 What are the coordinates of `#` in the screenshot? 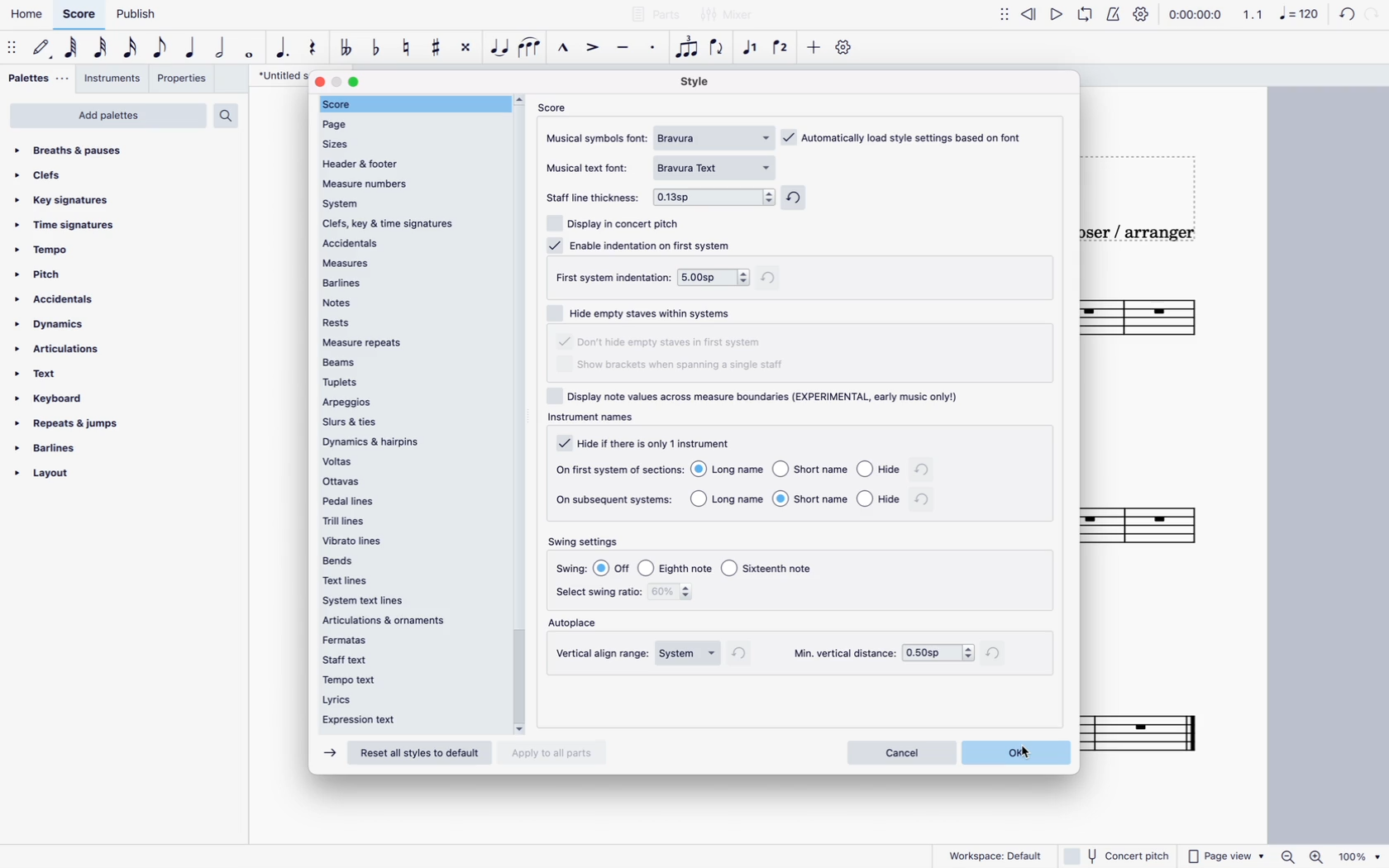 It's located at (435, 46).